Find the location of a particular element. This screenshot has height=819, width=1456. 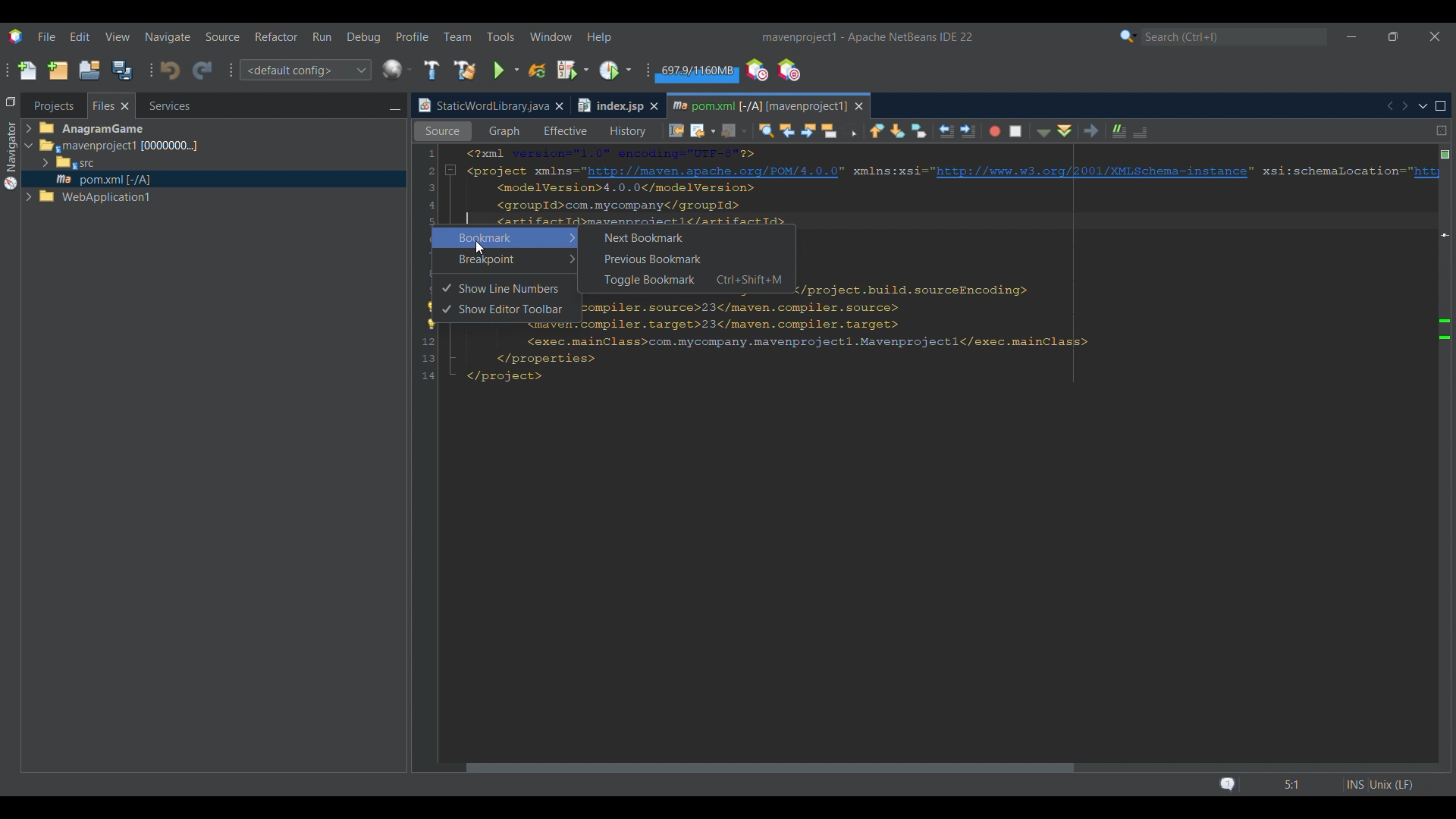

No errors is located at coordinates (1445, 155).